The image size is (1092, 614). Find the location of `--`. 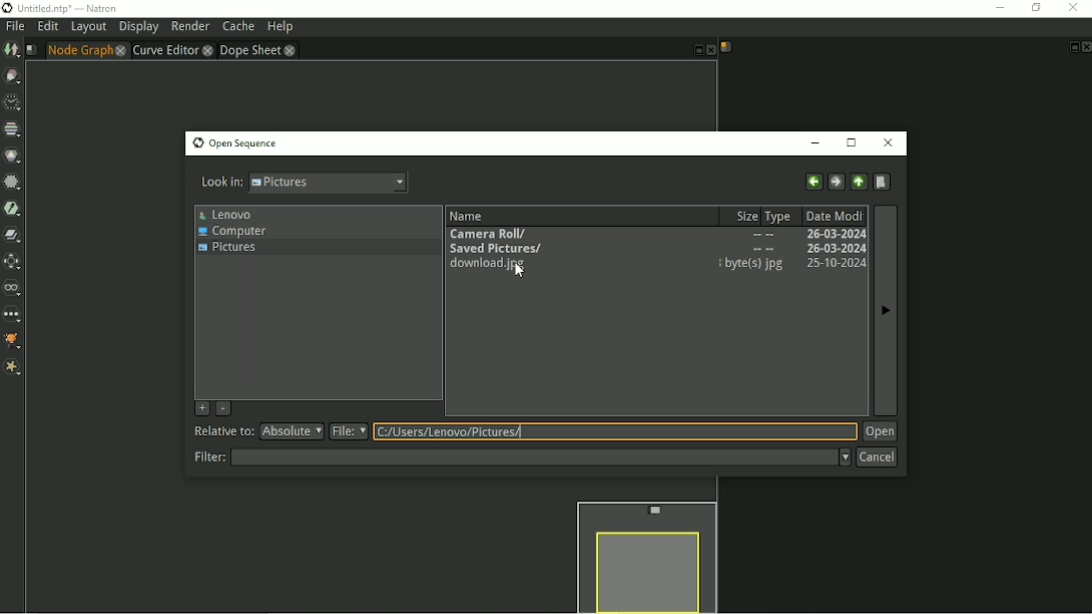

-- is located at coordinates (763, 235).